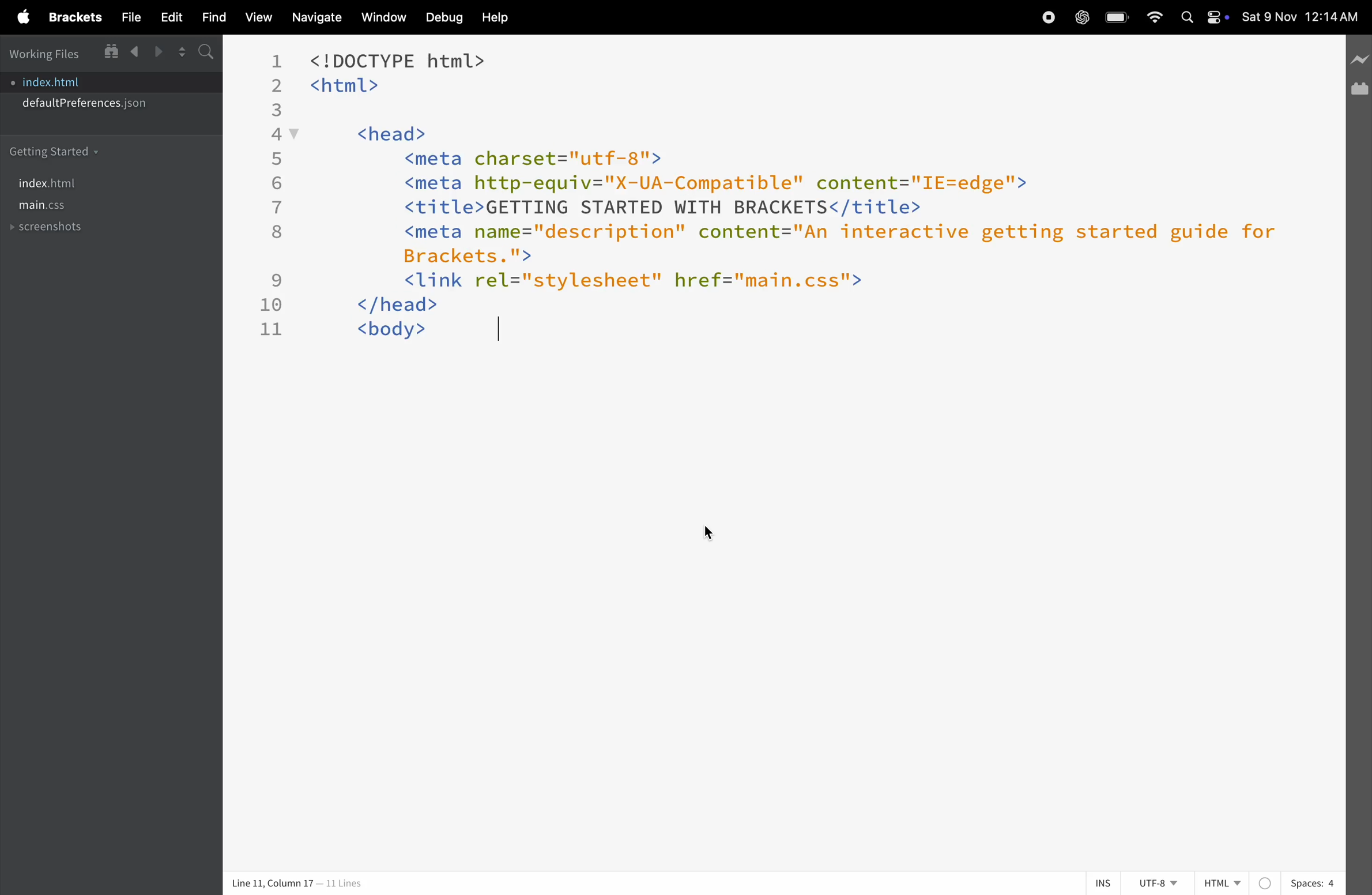 This screenshot has height=895, width=1372. I want to click on backward, so click(135, 51).